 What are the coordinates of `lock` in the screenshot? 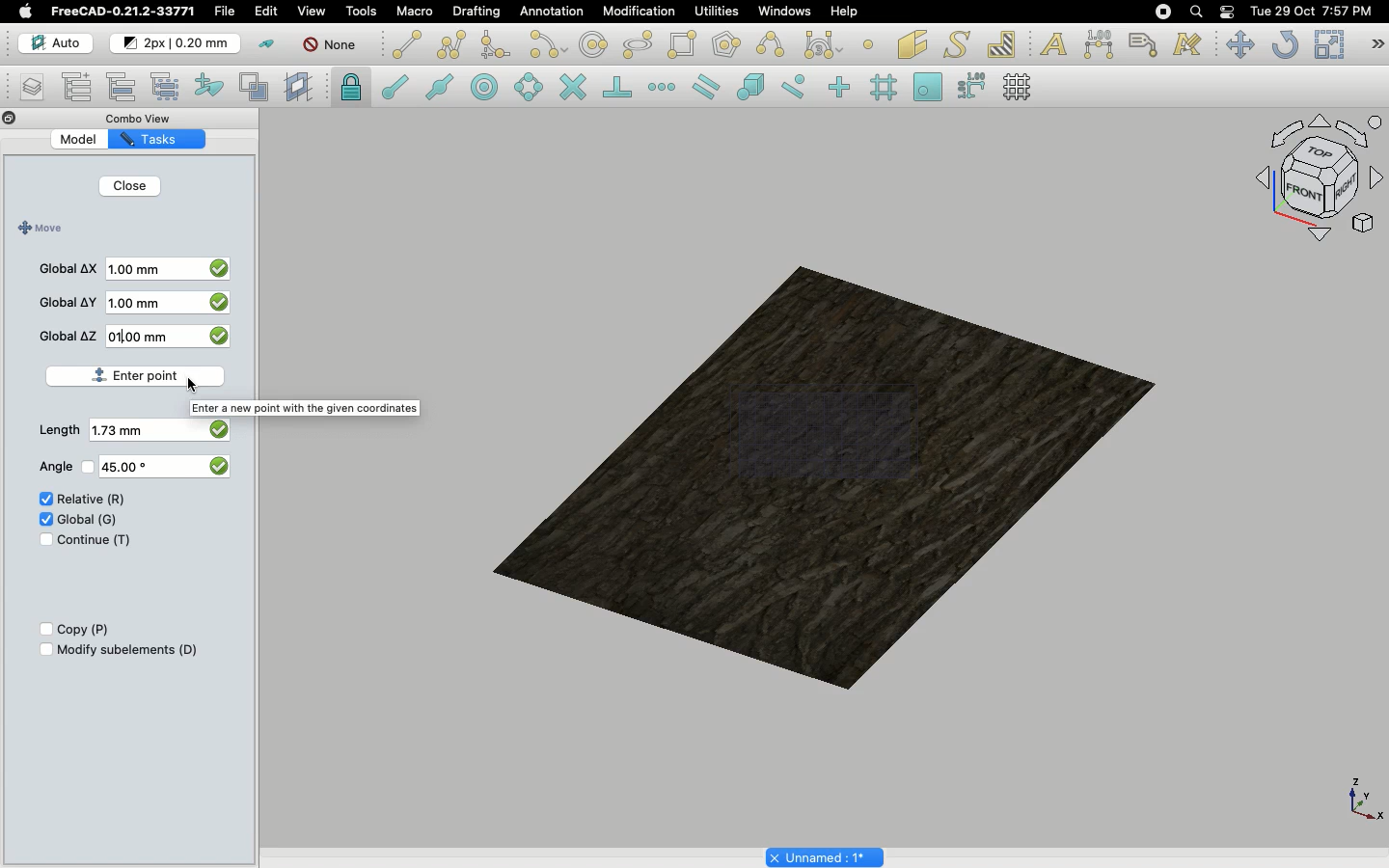 It's located at (352, 90).